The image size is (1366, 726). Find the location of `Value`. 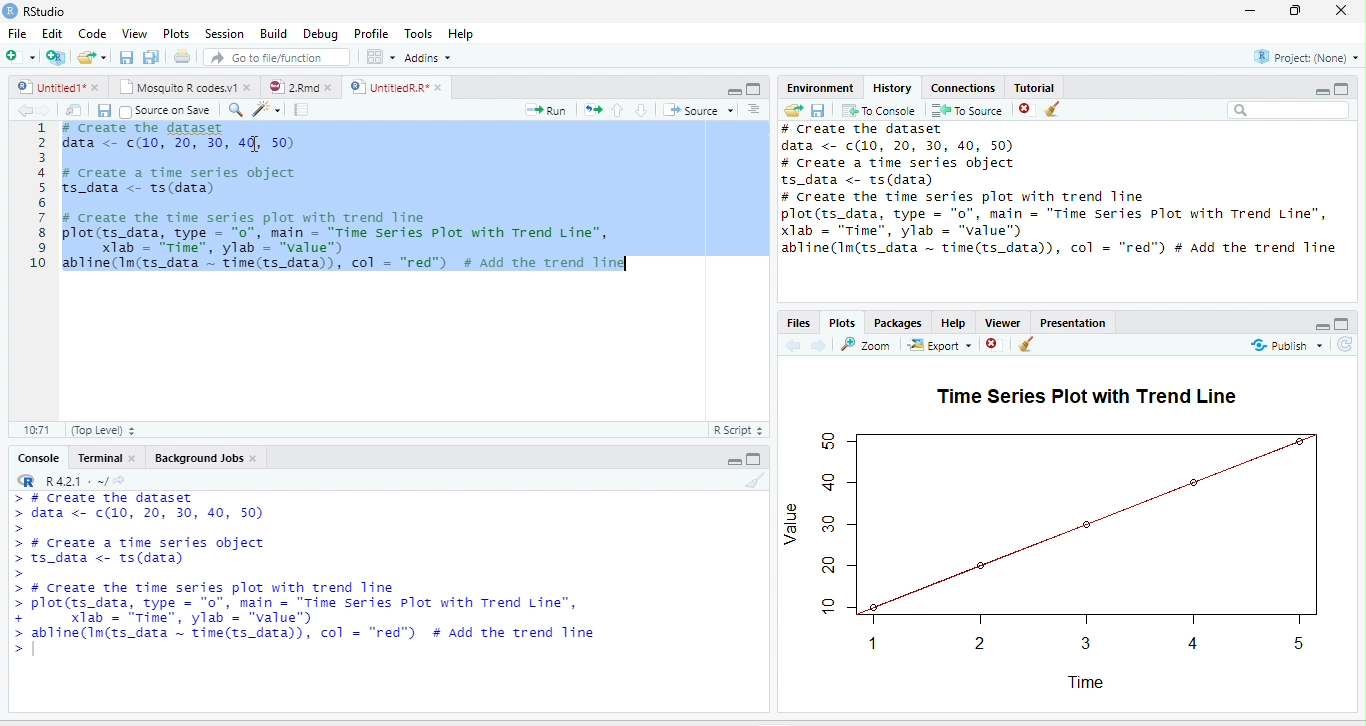

Value is located at coordinates (792, 525).